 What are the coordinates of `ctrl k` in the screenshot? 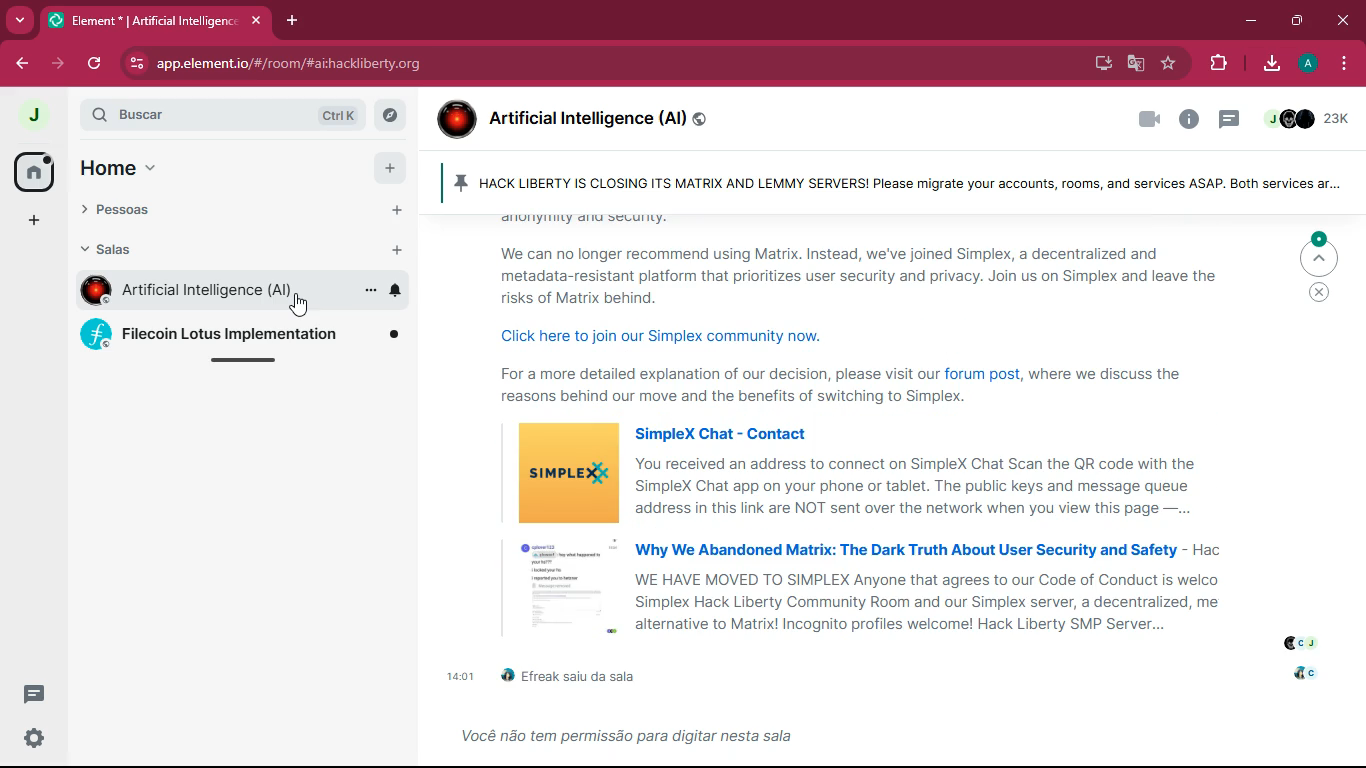 It's located at (334, 111).